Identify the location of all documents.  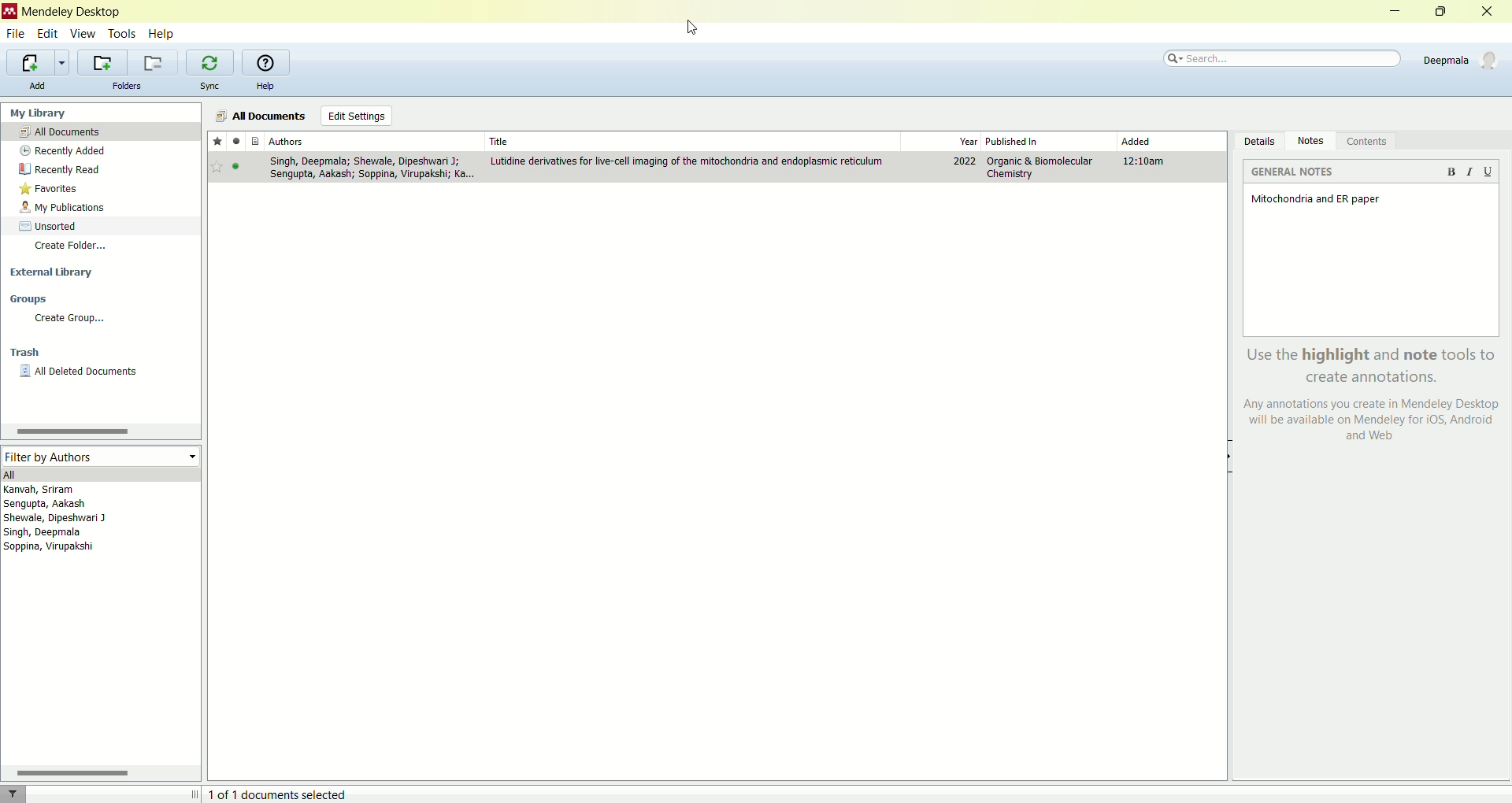
(100, 131).